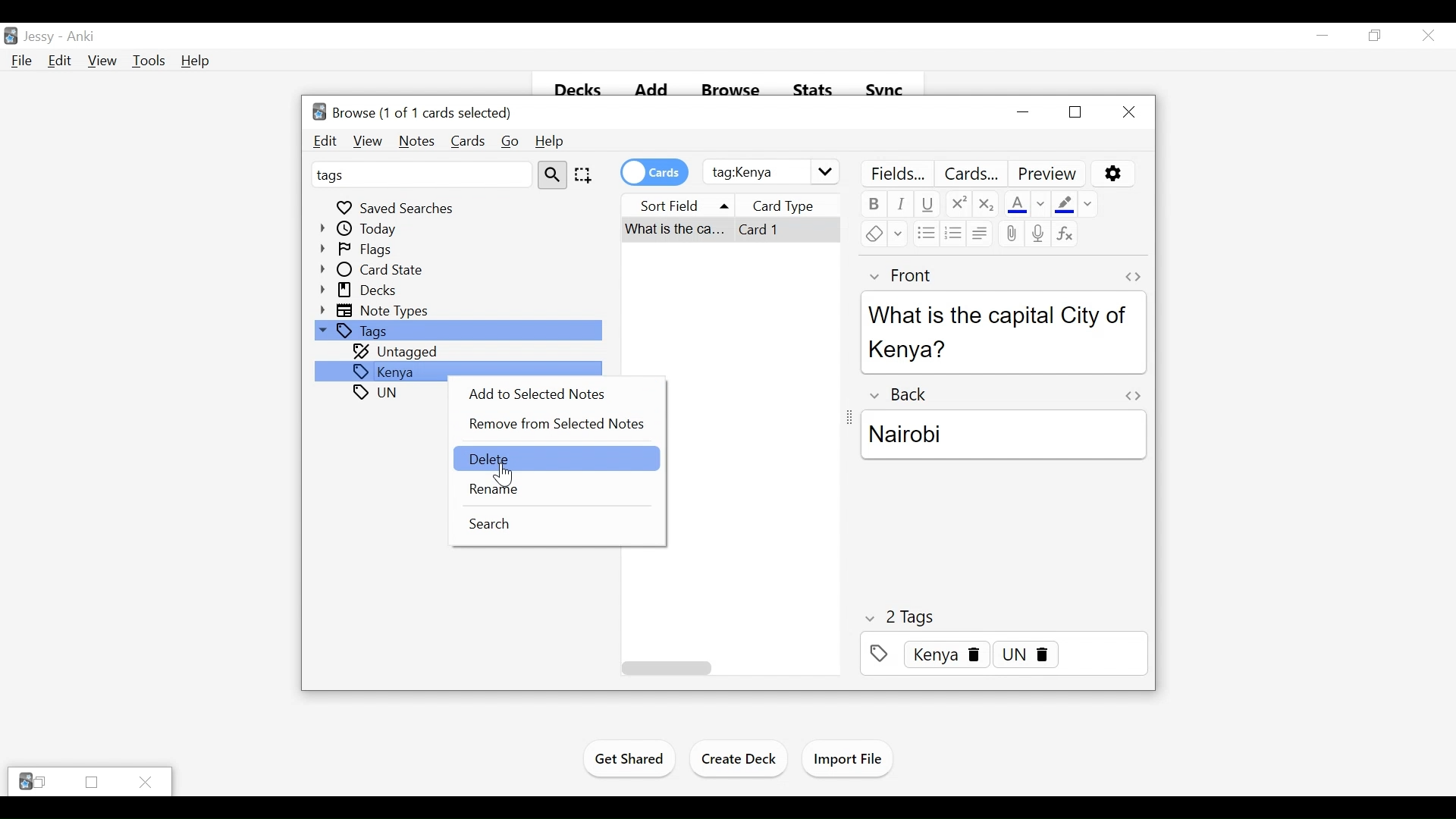 Image resolution: width=1456 pixels, height=819 pixels. I want to click on Browse (0 of 0 cards selected), so click(416, 111).